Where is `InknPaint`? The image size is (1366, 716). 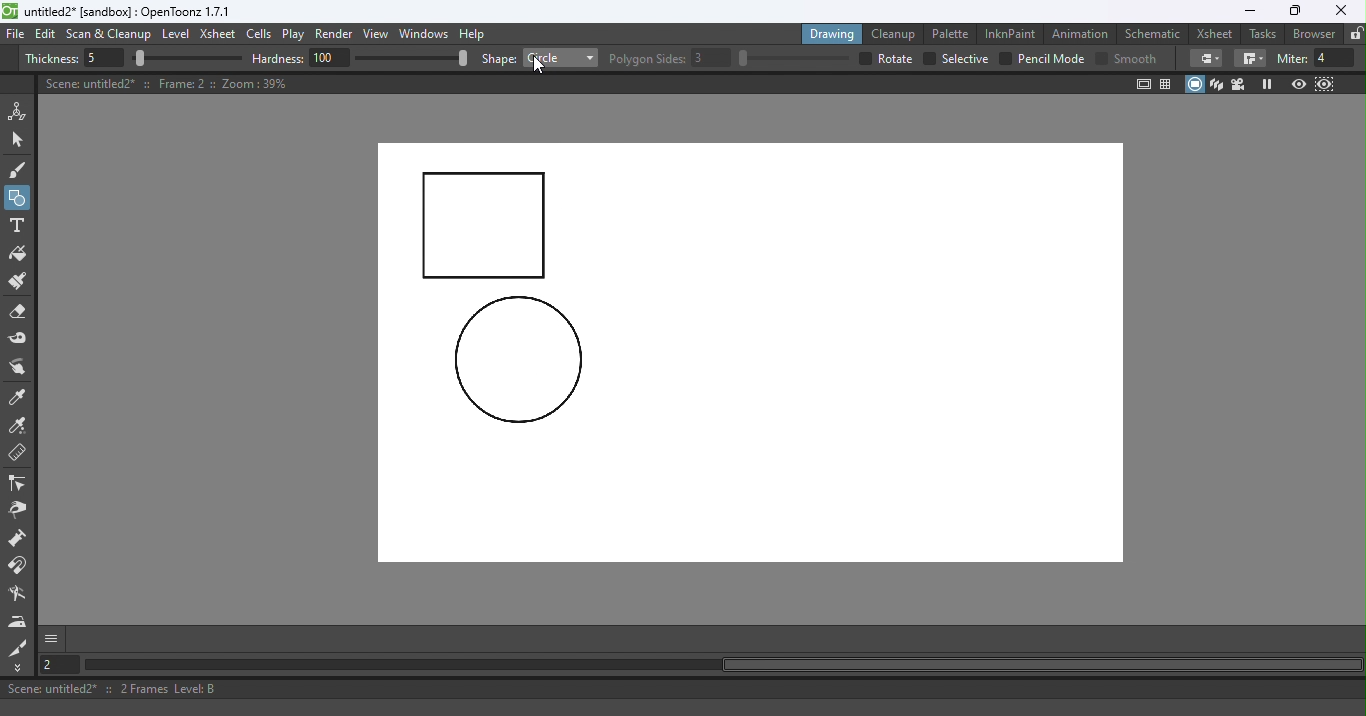 InknPaint is located at coordinates (1011, 32).